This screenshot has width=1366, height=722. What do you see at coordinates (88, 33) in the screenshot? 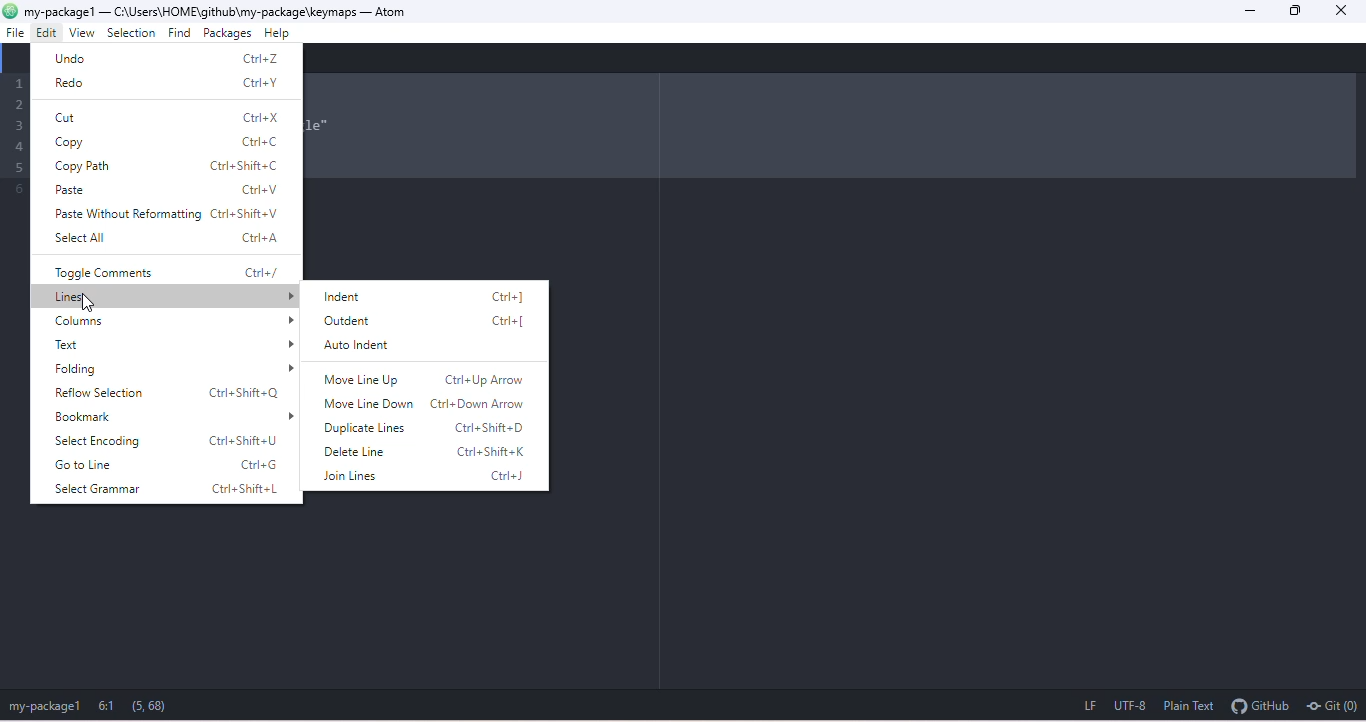
I see `view` at bounding box center [88, 33].